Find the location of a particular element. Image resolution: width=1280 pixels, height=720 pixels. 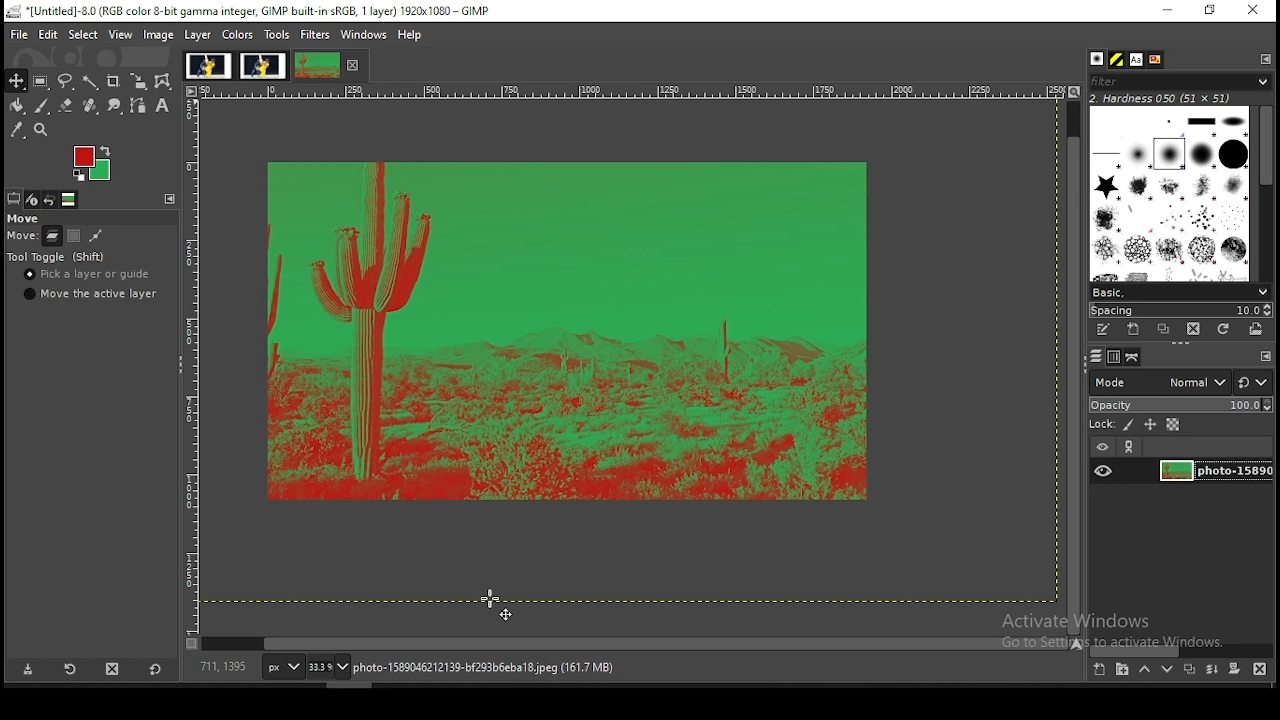

mouse pointer is located at coordinates (496, 604).